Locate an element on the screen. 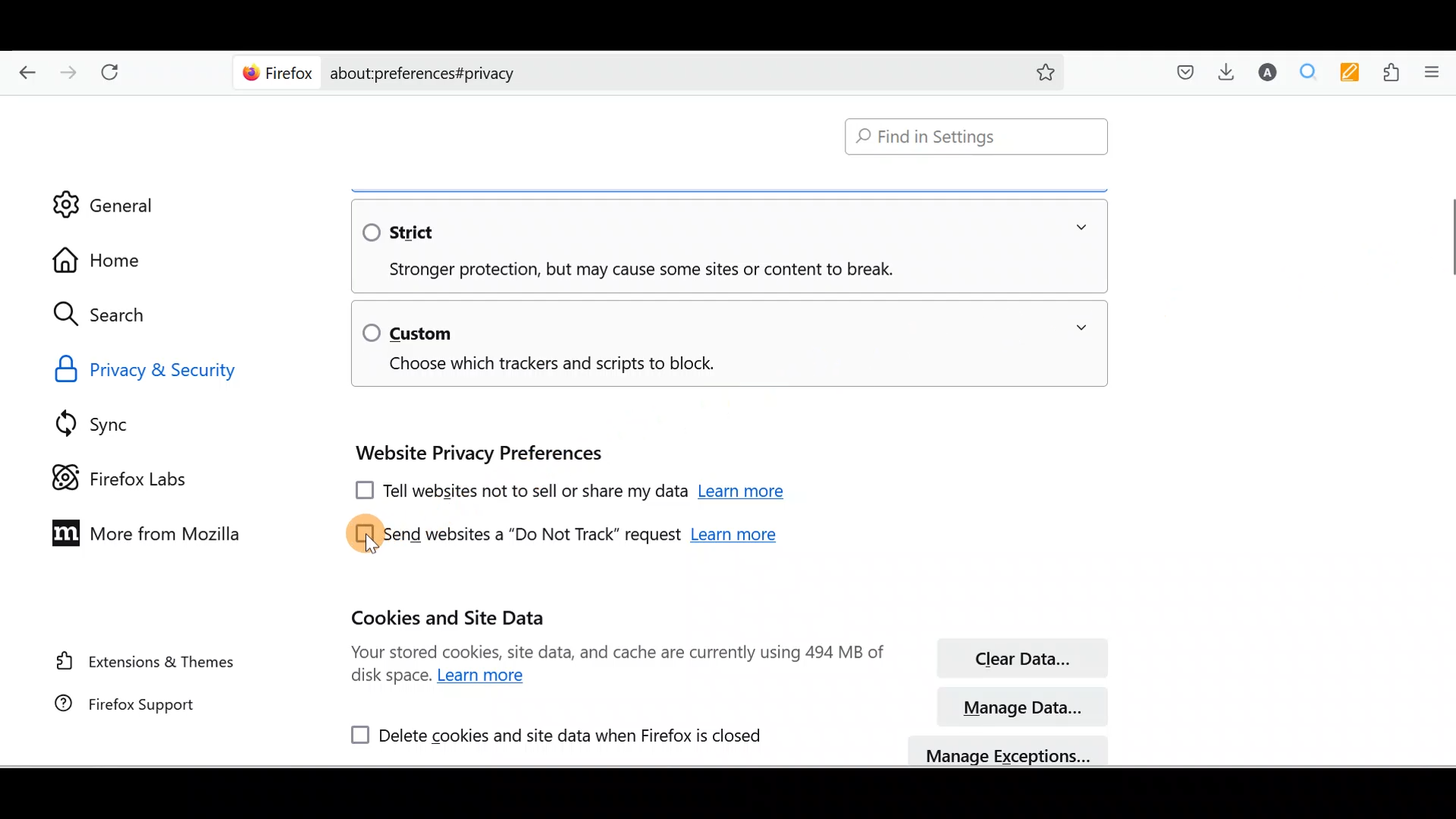 The width and height of the screenshot is (1456, 819). Choose which trackers and scripts to block. is located at coordinates (542, 366).